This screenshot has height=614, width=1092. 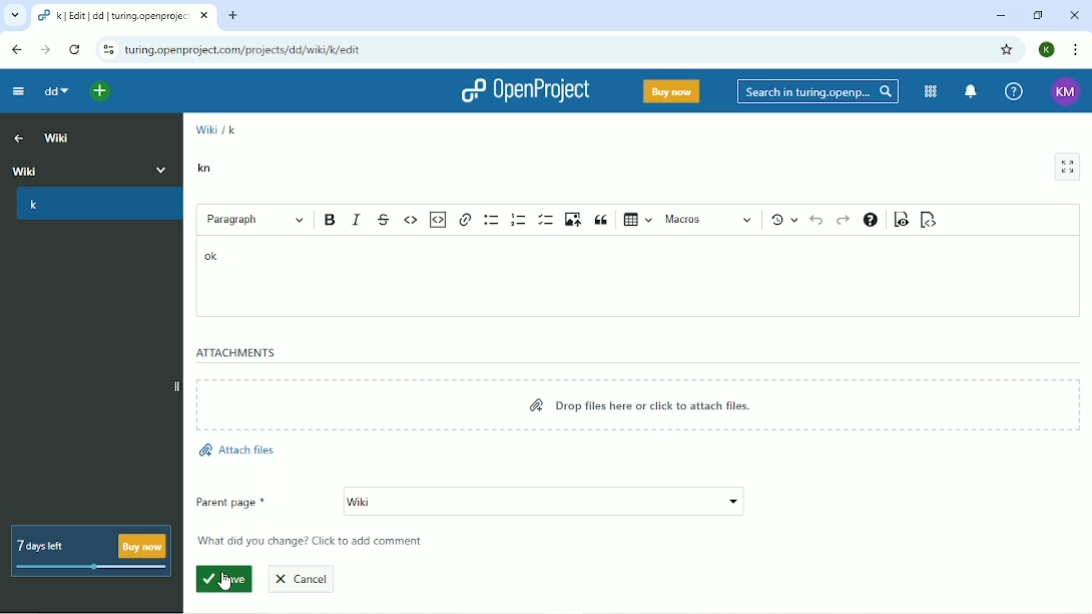 What do you see at coordinates (1006, 49) in the screenshot?
I see `Bookmark this tab` at bounding box center [1006, 49].